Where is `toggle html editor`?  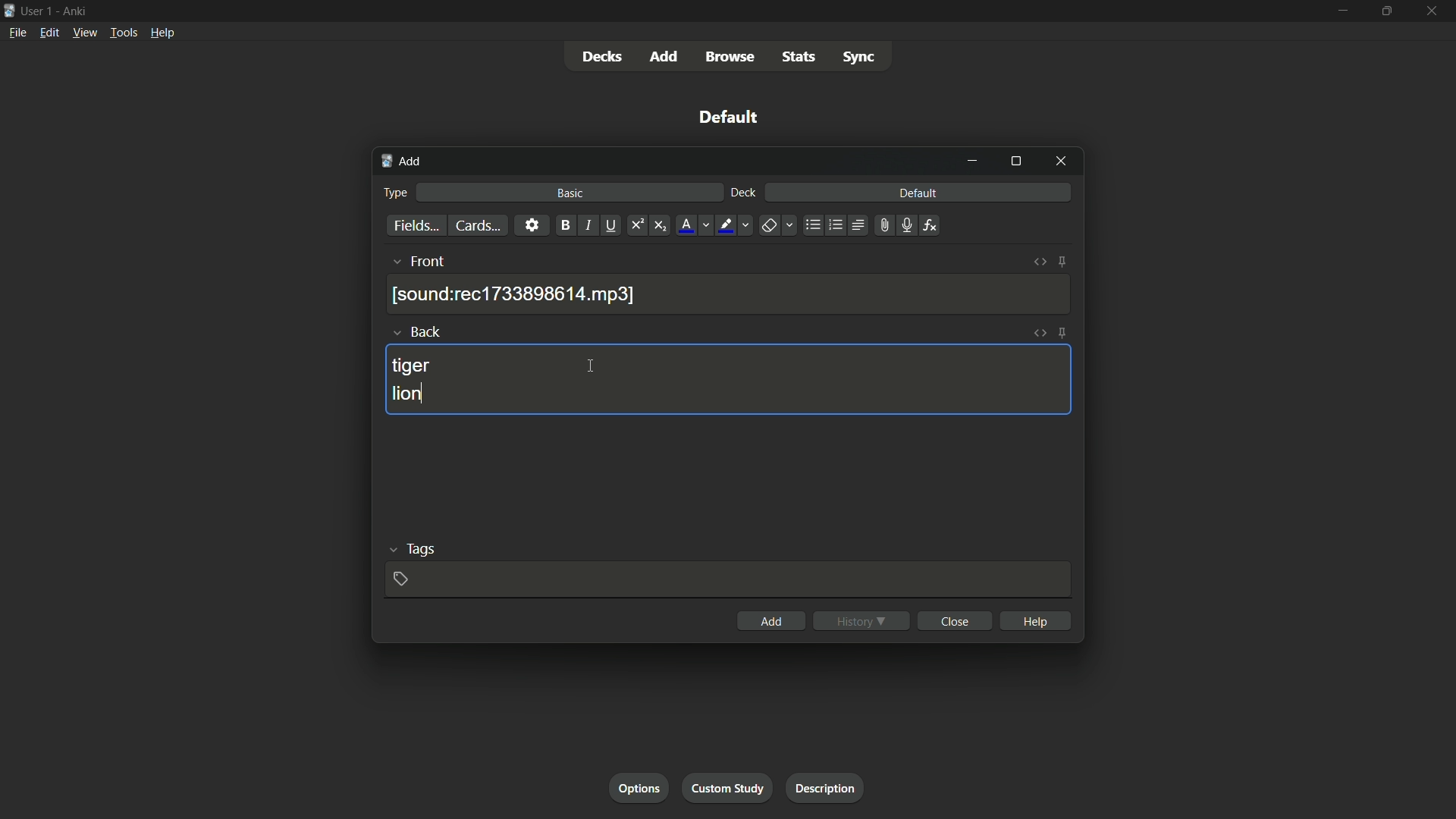
toggle html editor is located at coordinates (1040, 263).